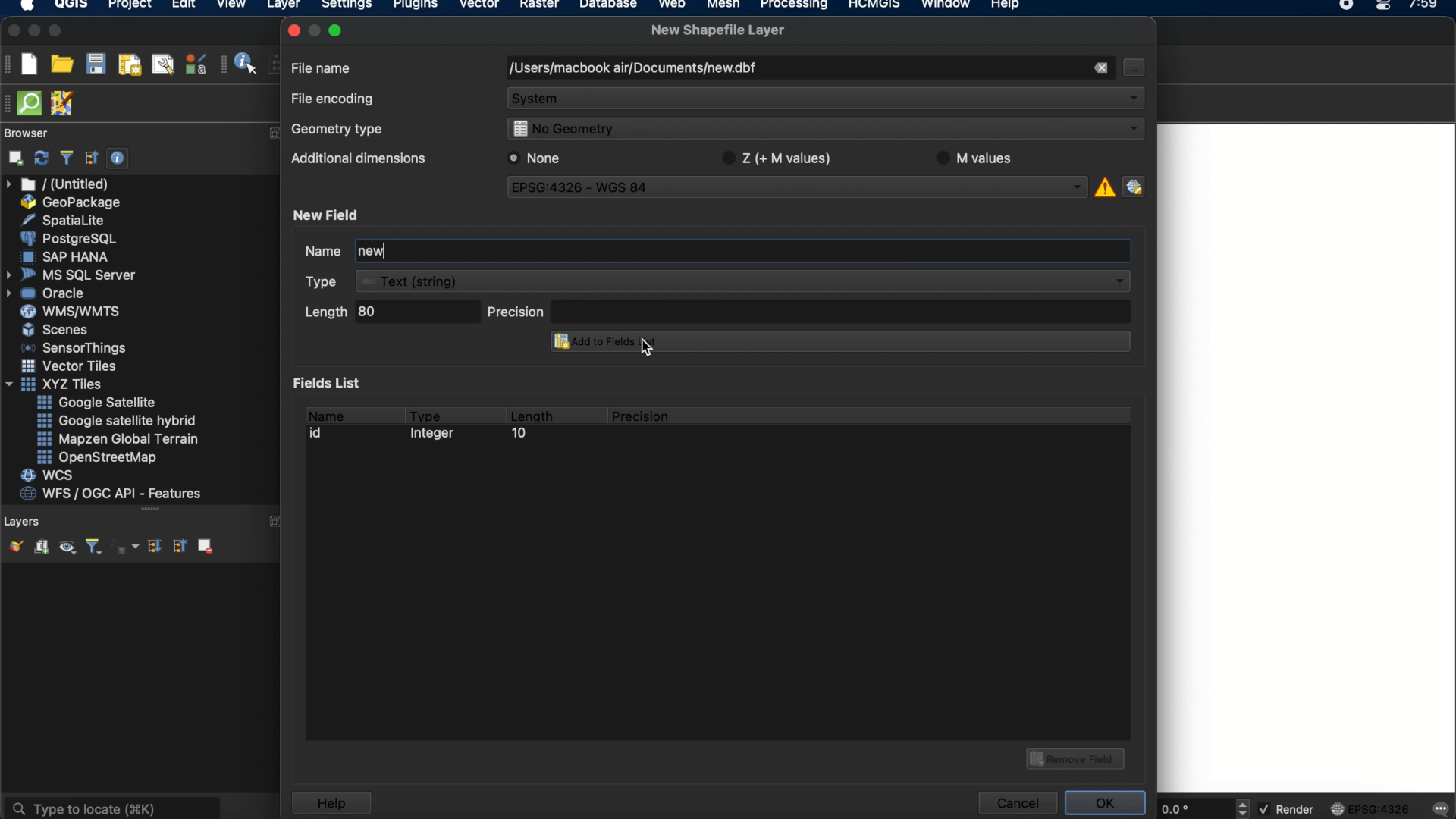 The width and height of the screenshot is (1456, 819). What do you see at coordinates (328, 215) in the screenshot?
I see `new field` at bounding box center [328, 215].